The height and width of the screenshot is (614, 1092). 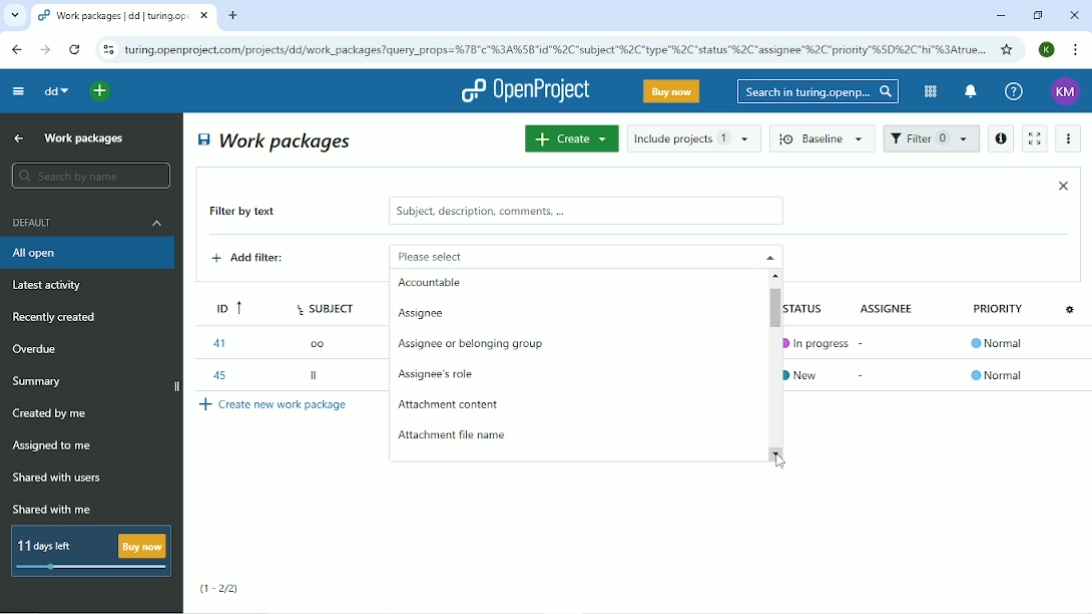 What do you see at coordinates (824, 138) in the screenshot?
I see `Baseline` at bounding box center [824, 138].